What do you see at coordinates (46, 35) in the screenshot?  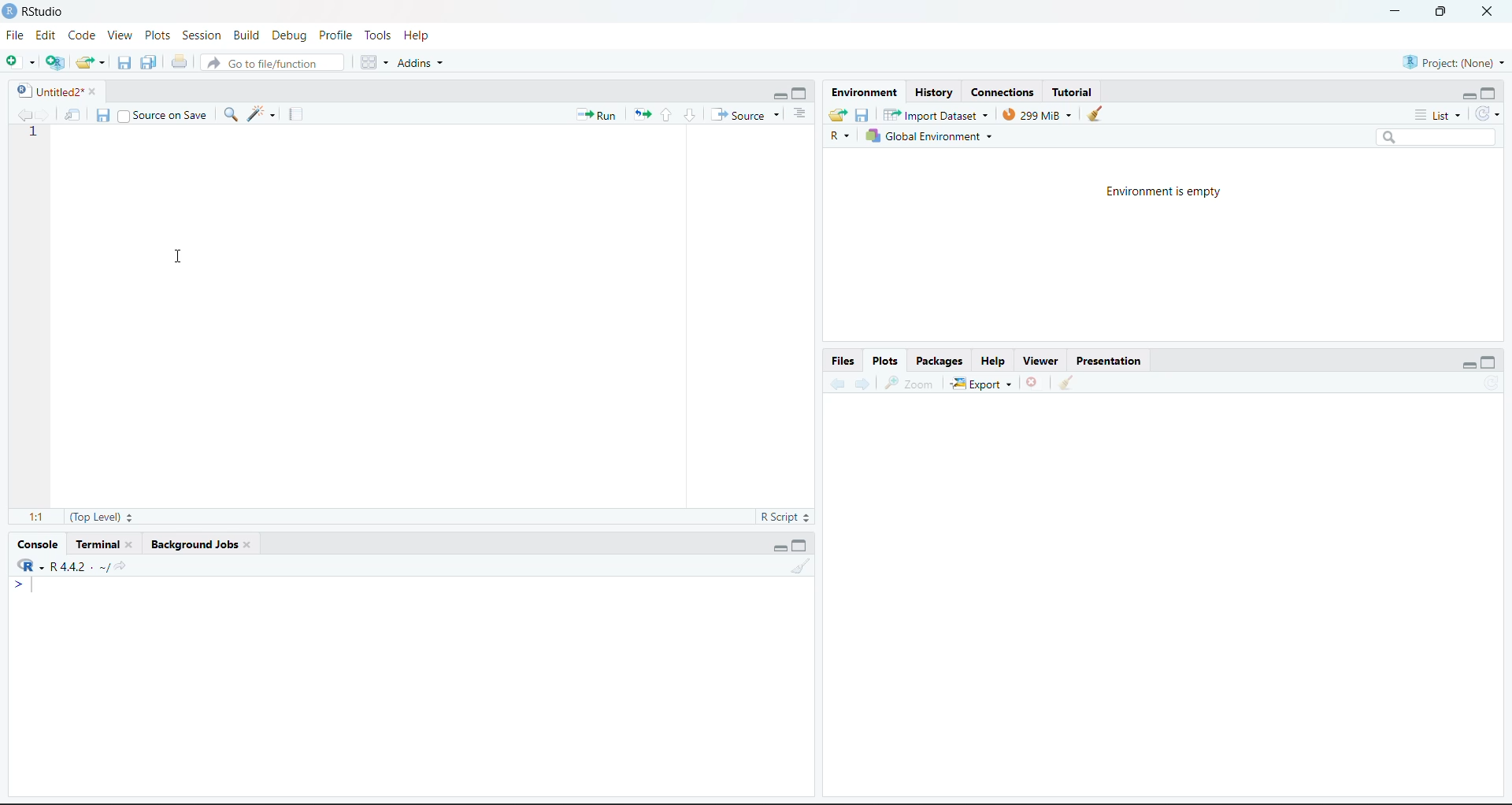 I see `Edit` at bounding box center [46, 35].